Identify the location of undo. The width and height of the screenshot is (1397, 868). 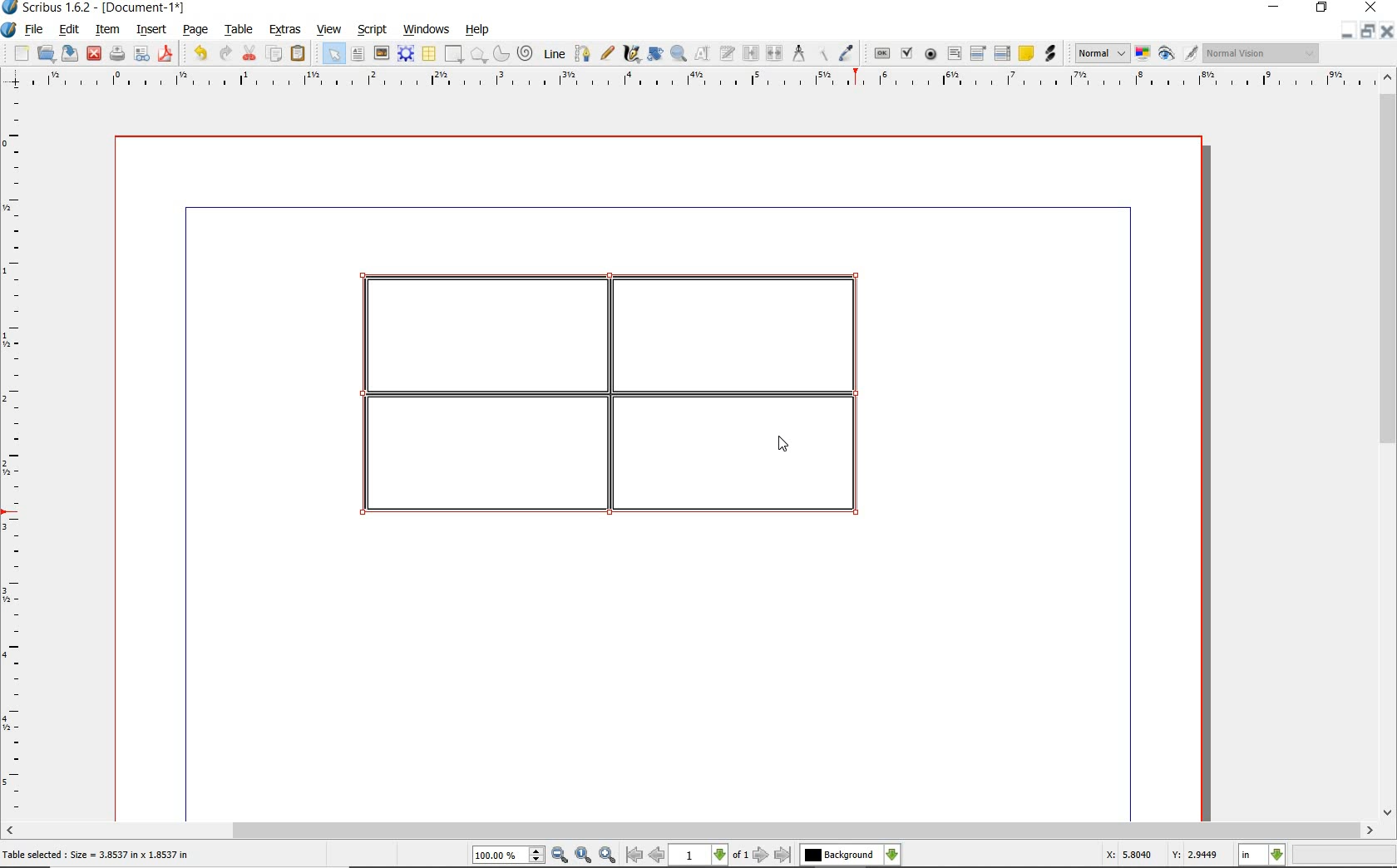
(200, 53).